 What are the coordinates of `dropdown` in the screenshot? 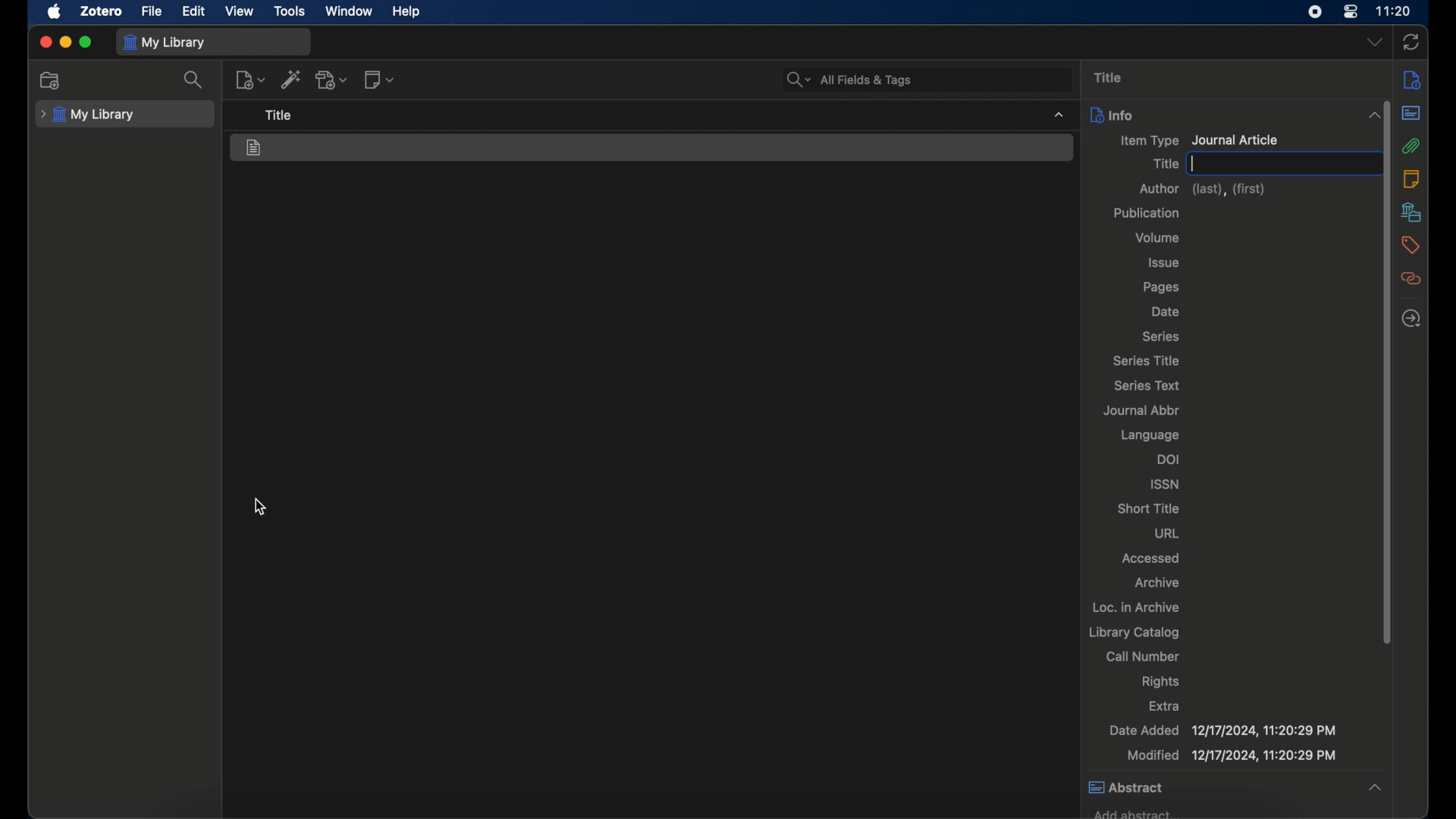 It's located at (1059, 114).